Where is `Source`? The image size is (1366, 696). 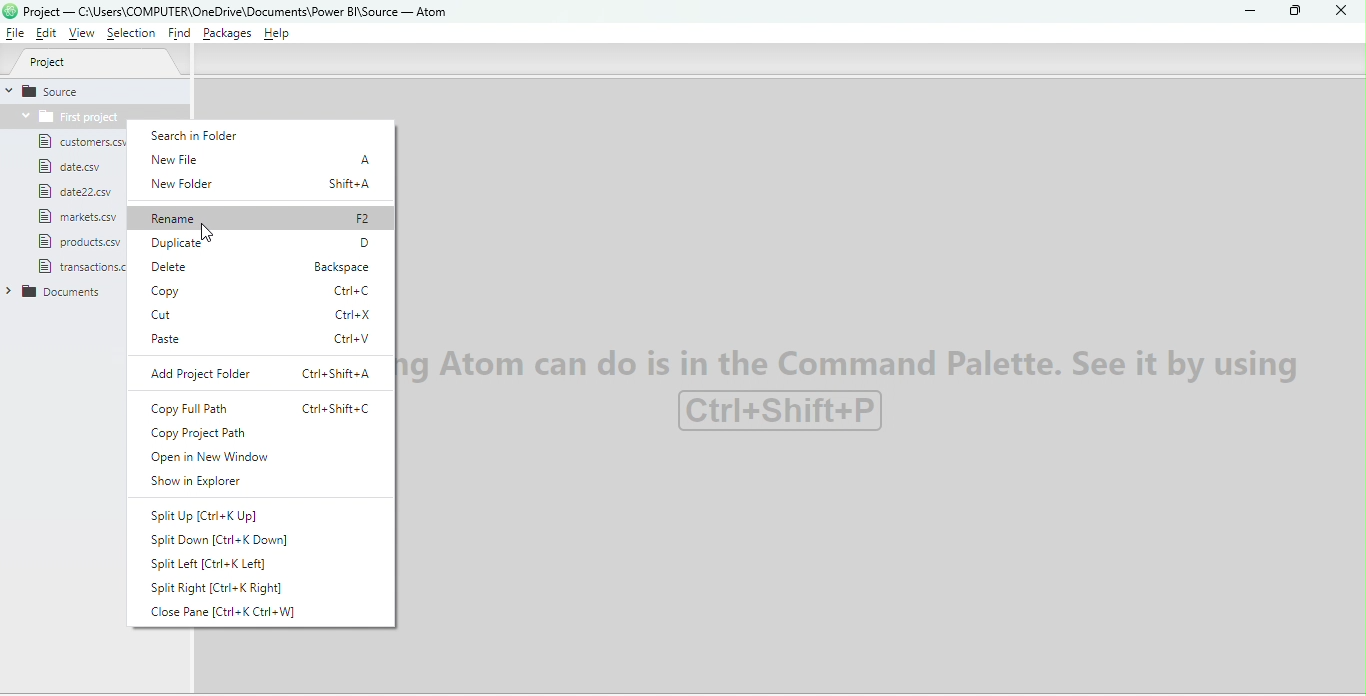 Source is located at coordinates (95, 90).